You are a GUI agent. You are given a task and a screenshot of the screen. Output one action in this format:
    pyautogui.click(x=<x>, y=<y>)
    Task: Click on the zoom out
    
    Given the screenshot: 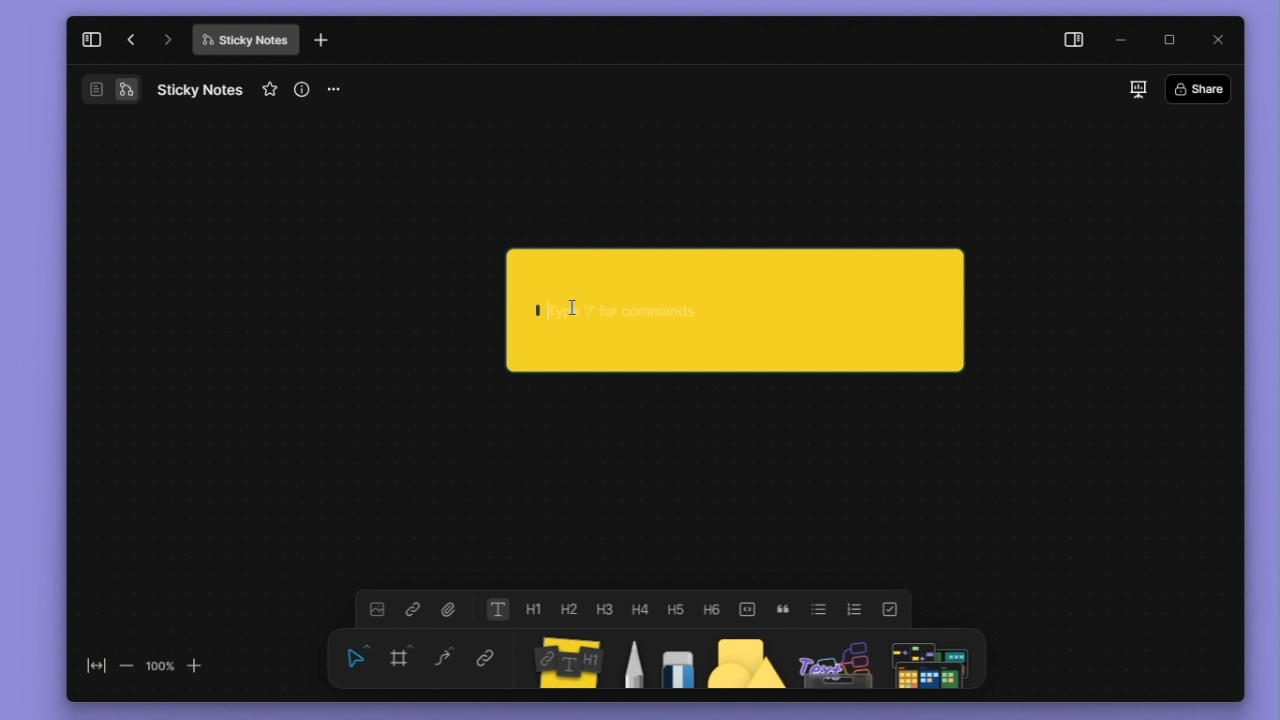 What is the action you would take?
    pyautogui.click(x=126, y=661)
    